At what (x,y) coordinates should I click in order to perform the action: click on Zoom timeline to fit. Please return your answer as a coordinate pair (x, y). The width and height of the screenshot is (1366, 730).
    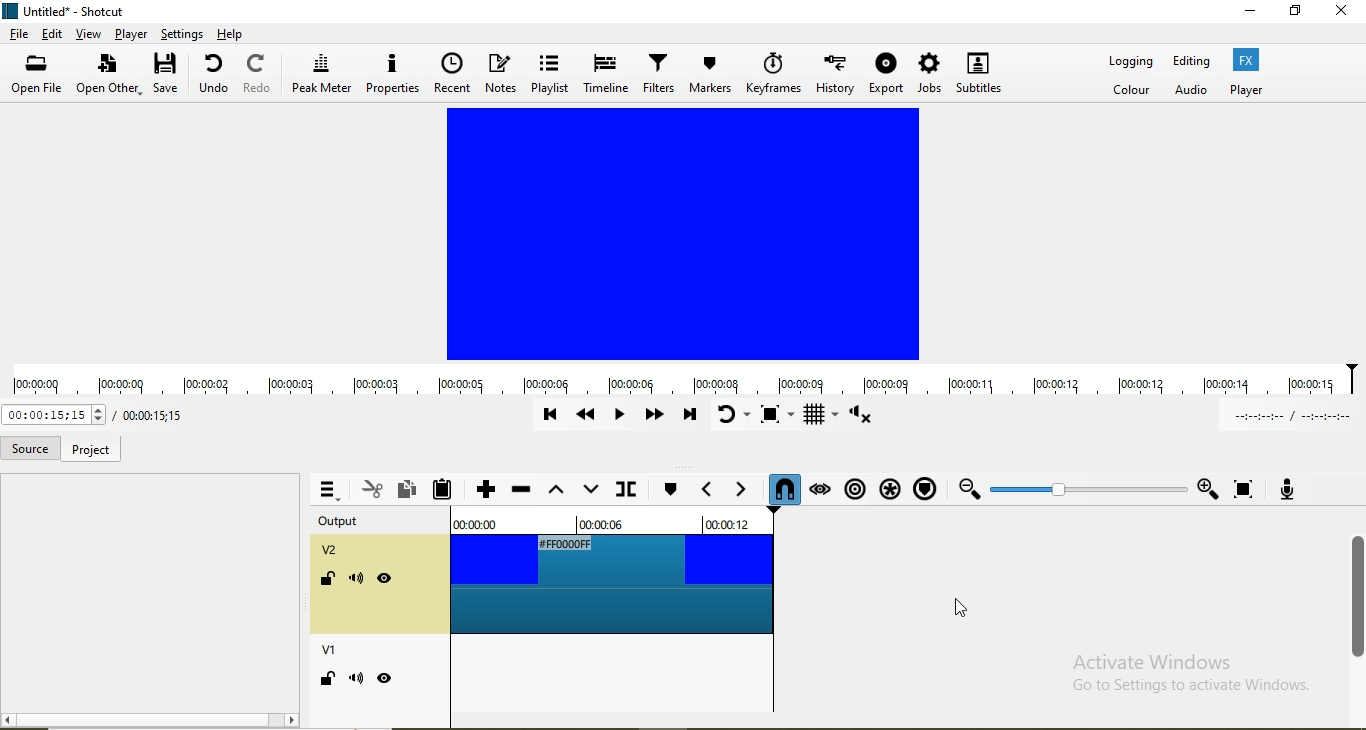
    Looking at the image, I should click on (1245, 489).